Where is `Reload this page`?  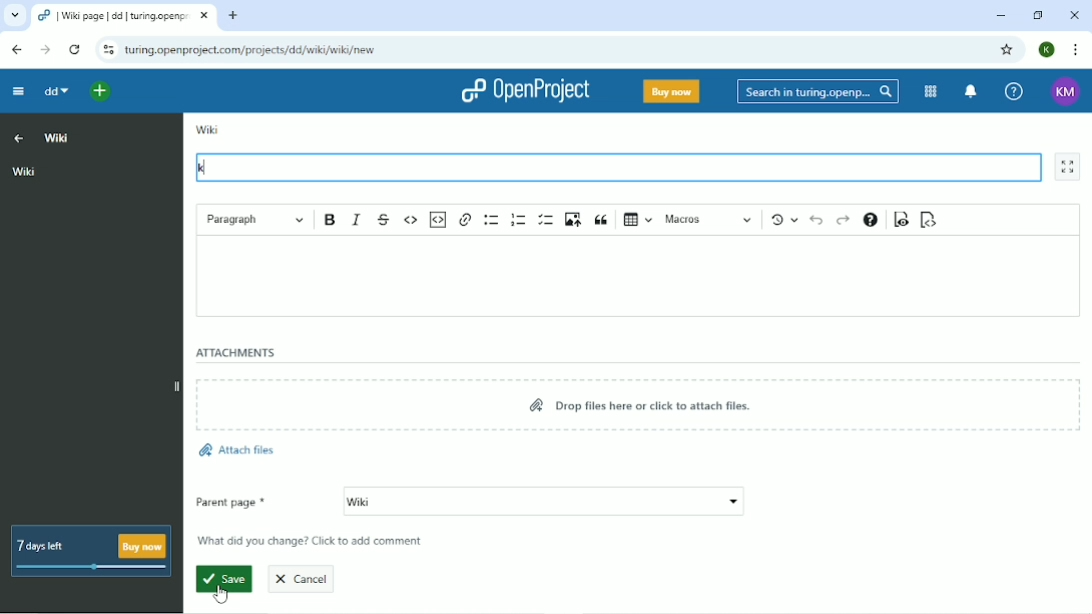 Reload this page is located at coordinates (76, 50).